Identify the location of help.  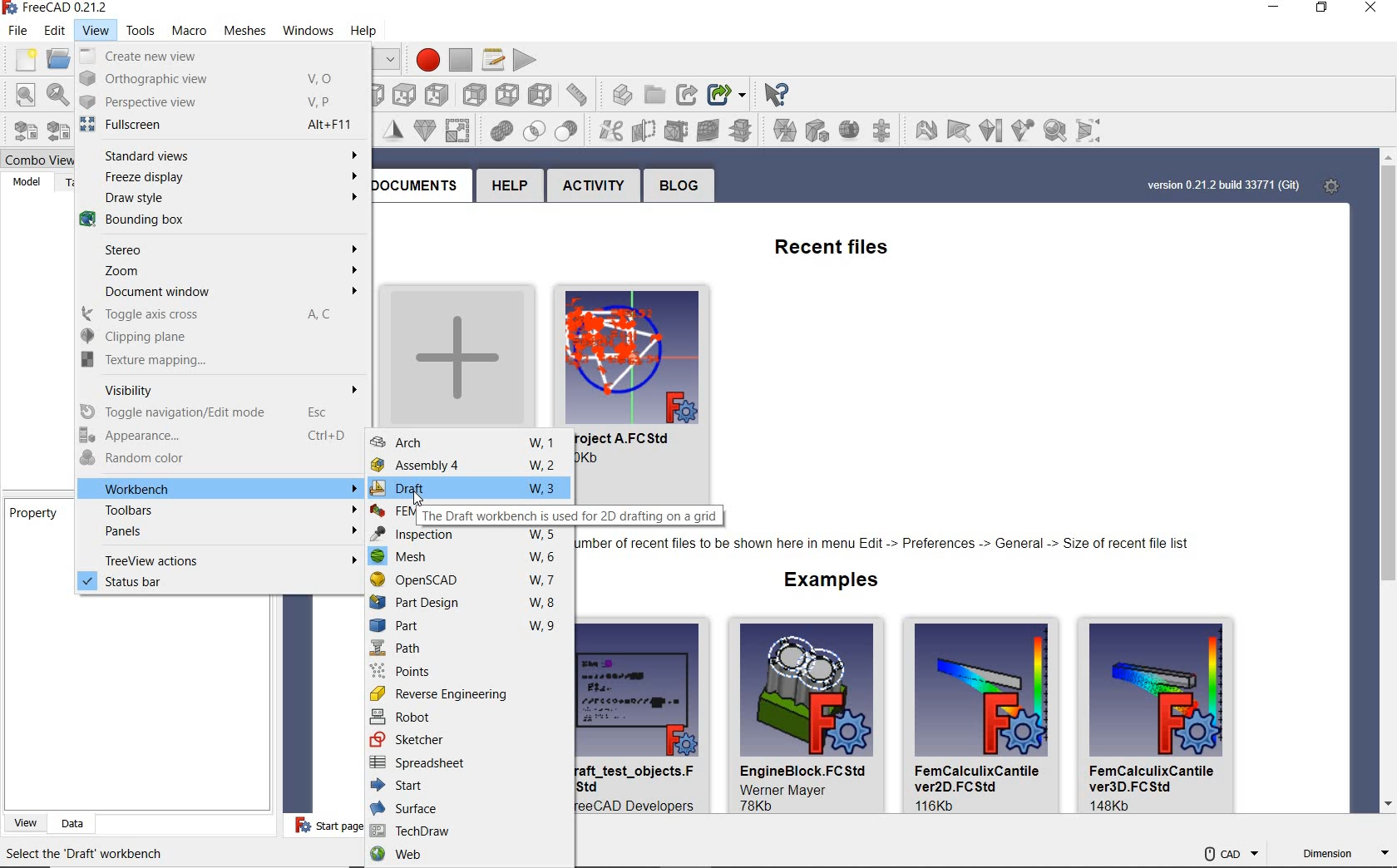
(377, 28).